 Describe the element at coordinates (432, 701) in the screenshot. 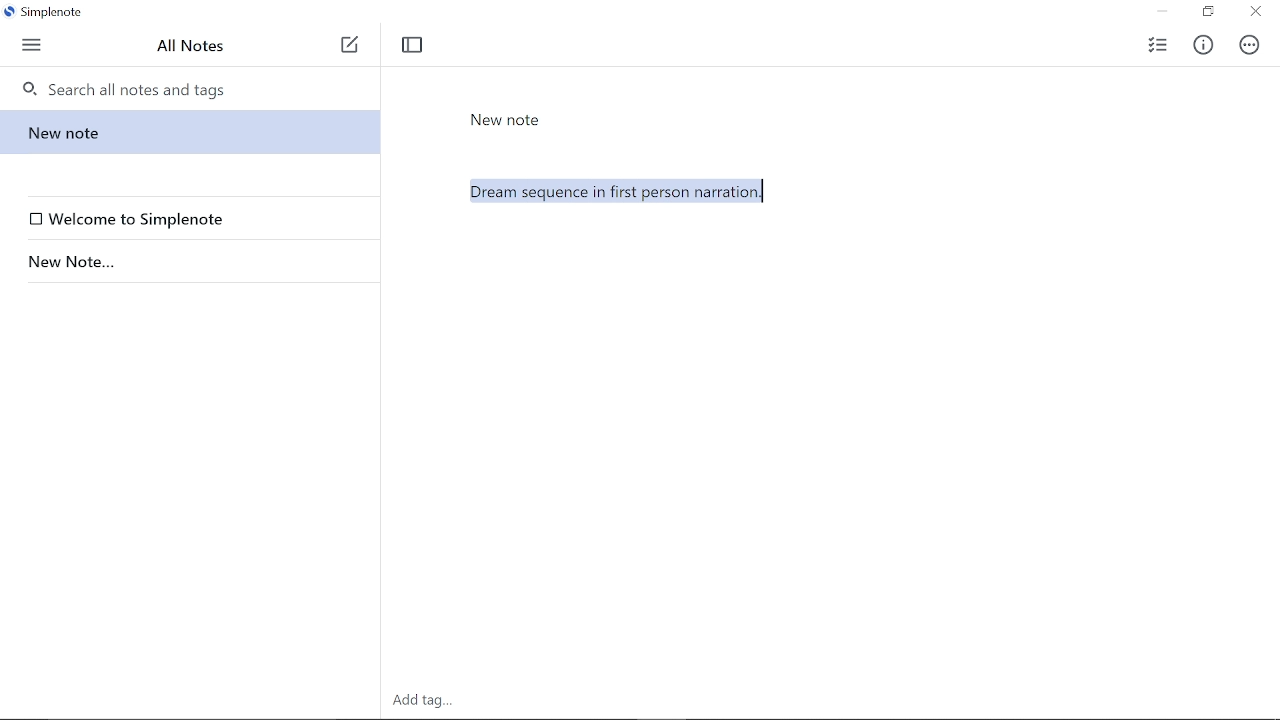

I see `Add tag...` at that location.